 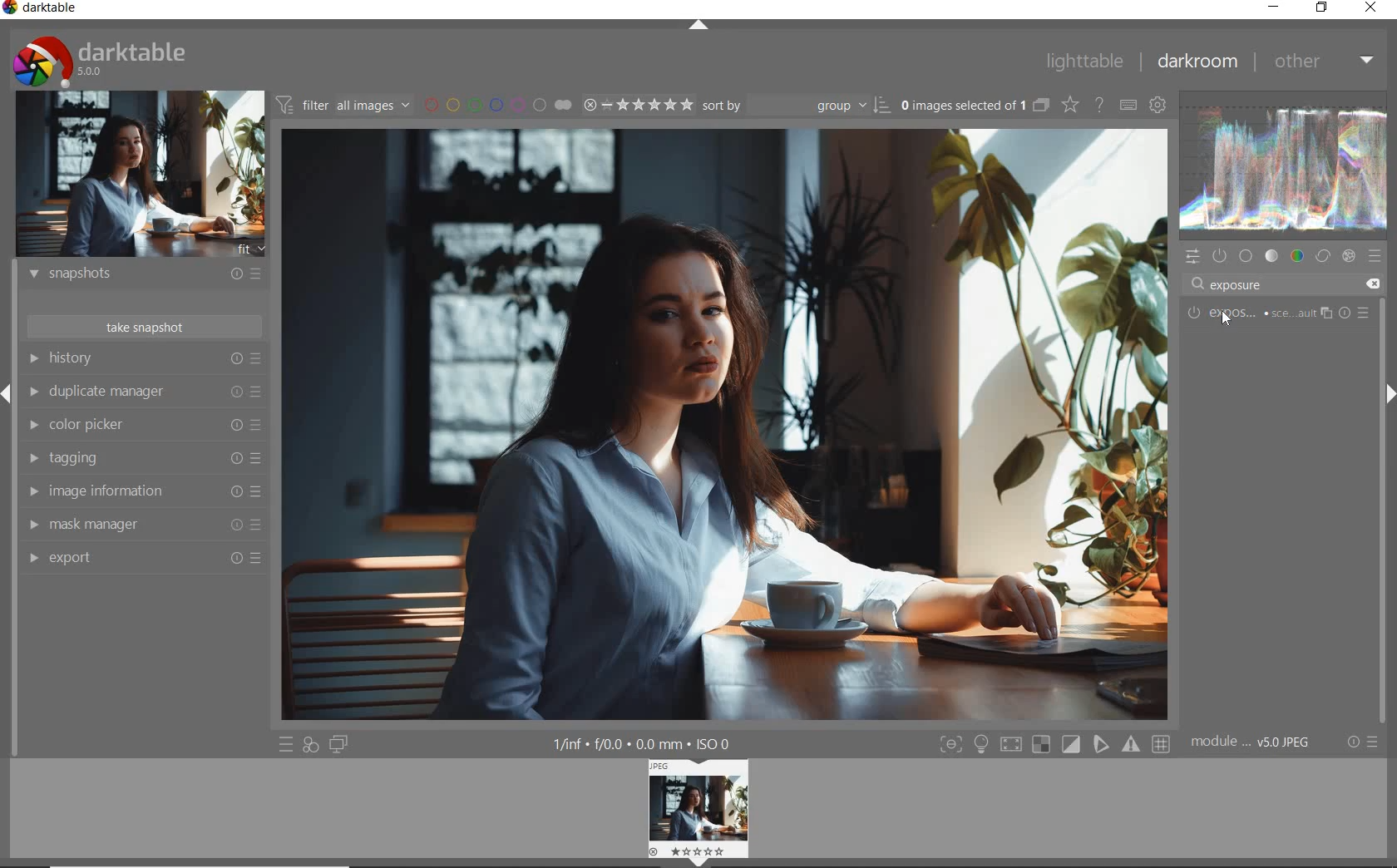 What do you see at coordinates (1387, 512) in the screenshot?
I see `scrollbar` at bounding box center [1387, 512].